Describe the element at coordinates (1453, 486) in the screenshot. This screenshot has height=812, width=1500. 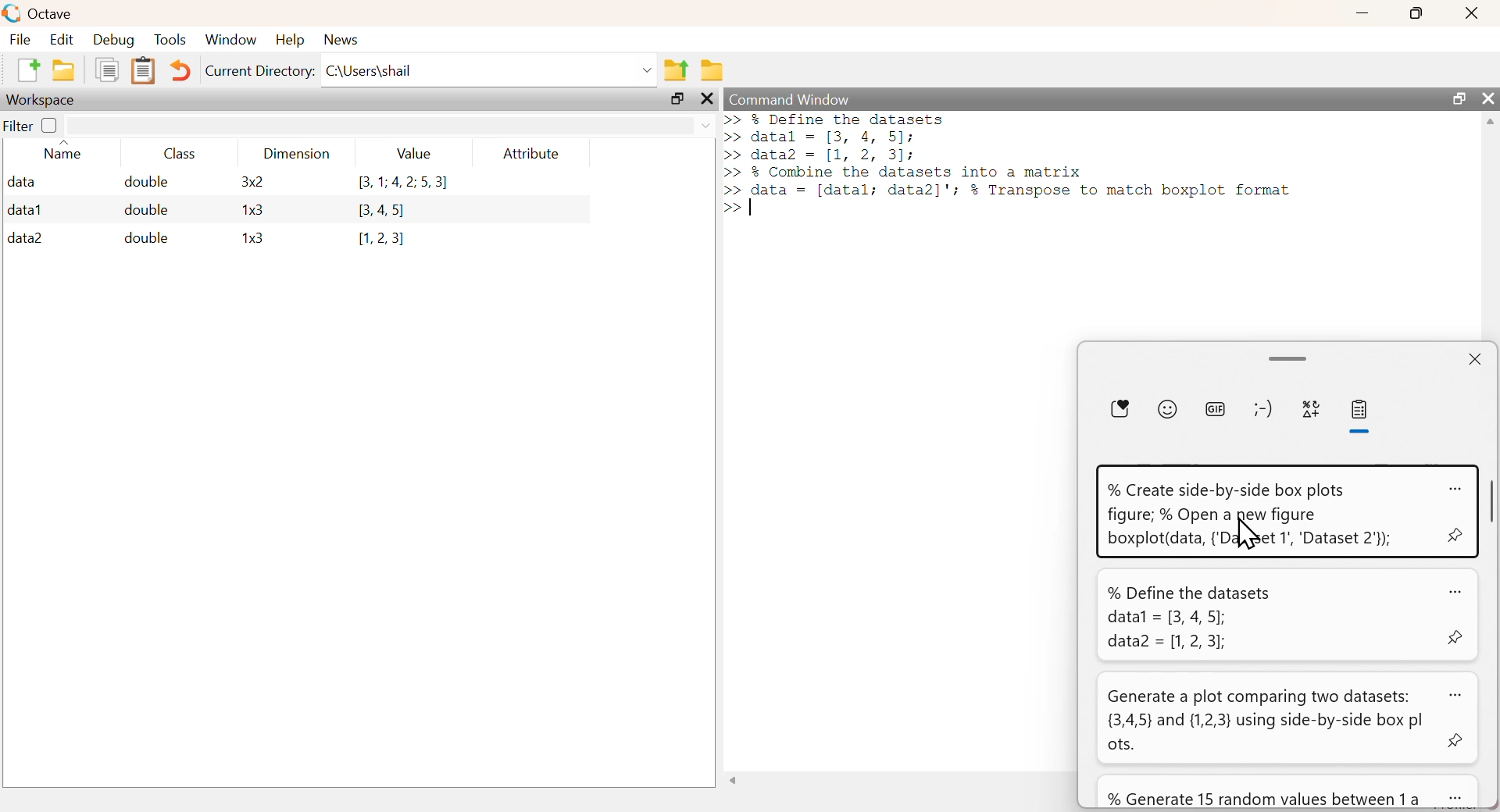
I see `more options` at that location.